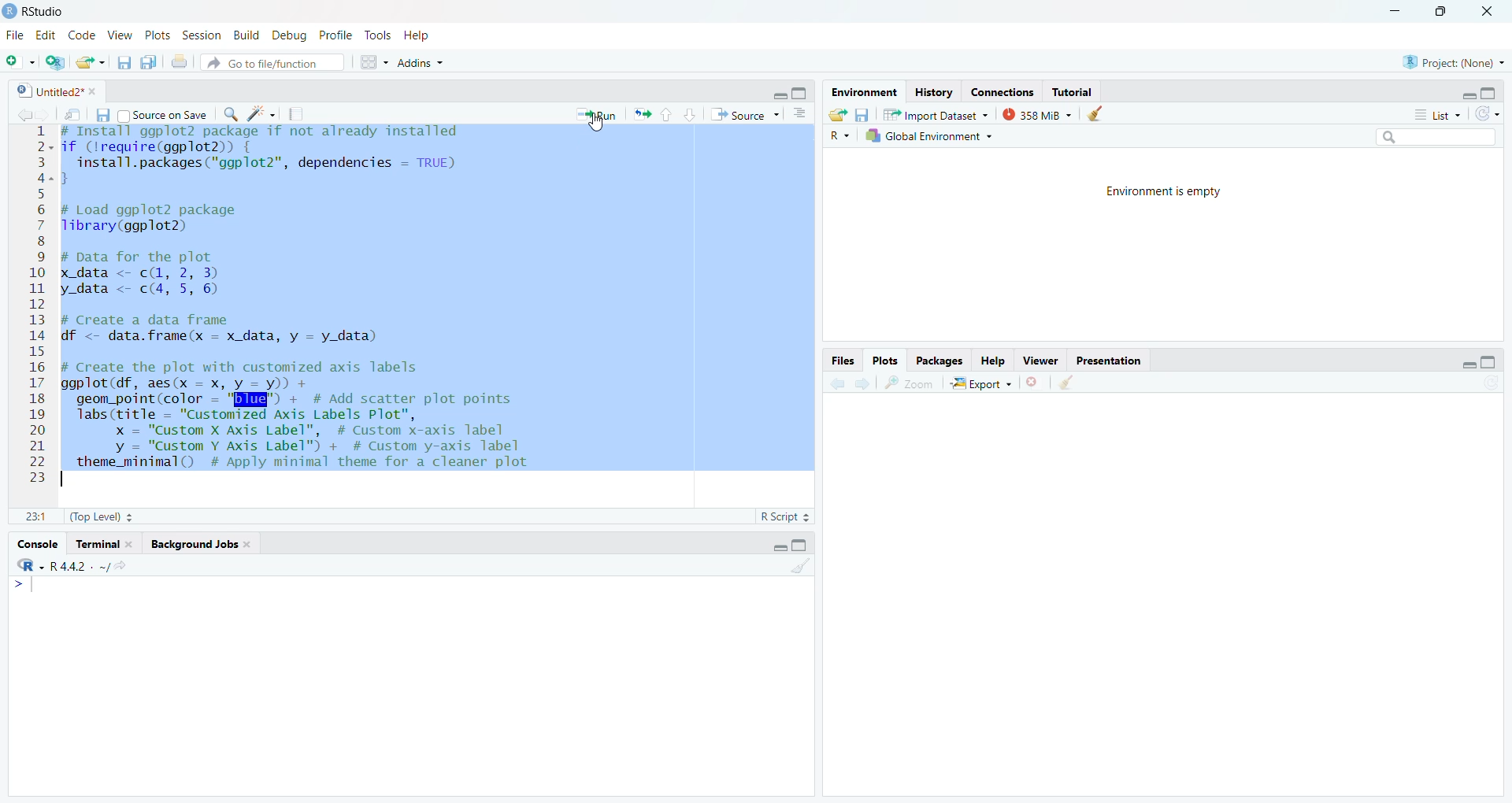  I want to click on add script, so click(57, 63).